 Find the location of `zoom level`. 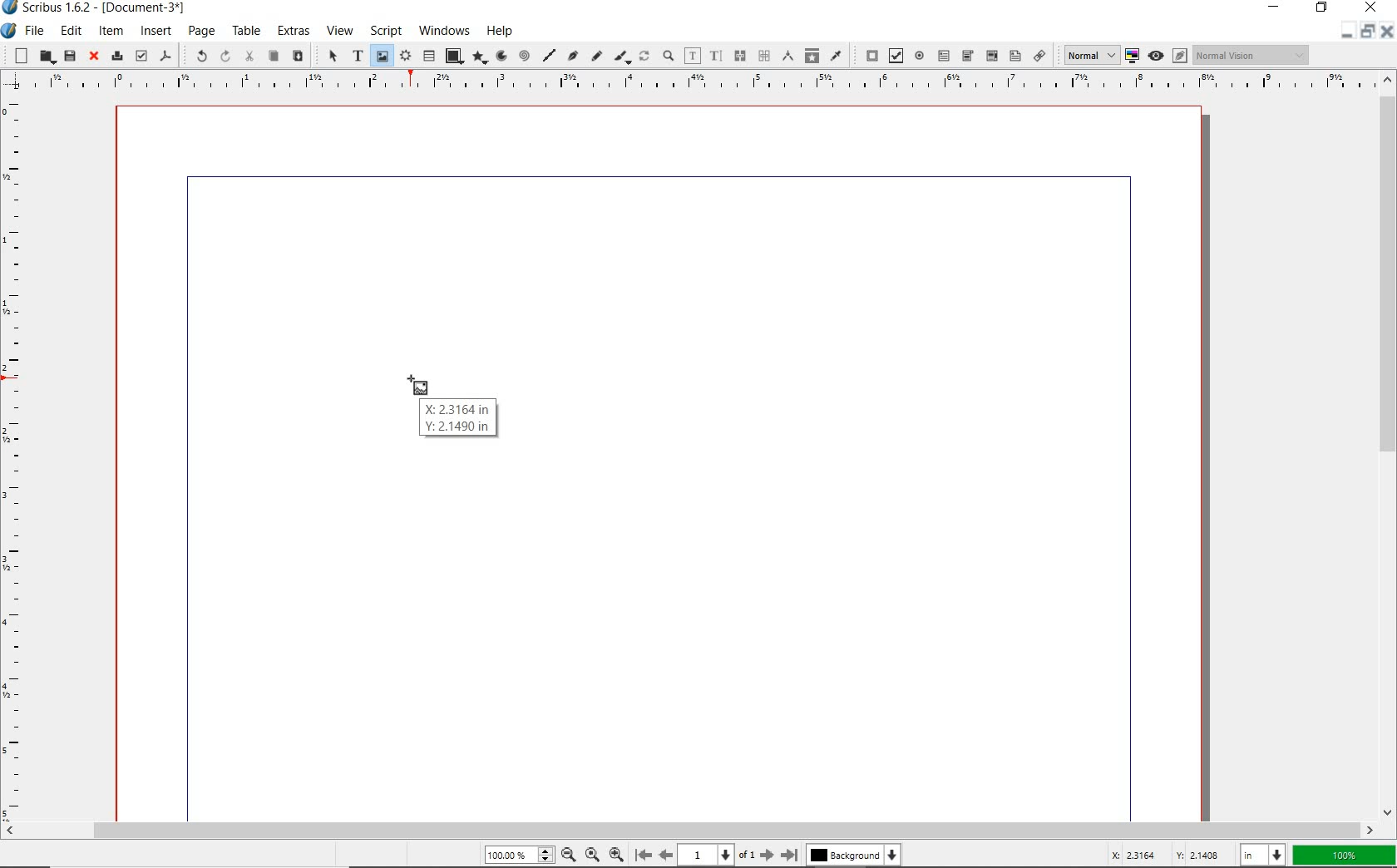

zoom level is located at coordinates (524, 856).